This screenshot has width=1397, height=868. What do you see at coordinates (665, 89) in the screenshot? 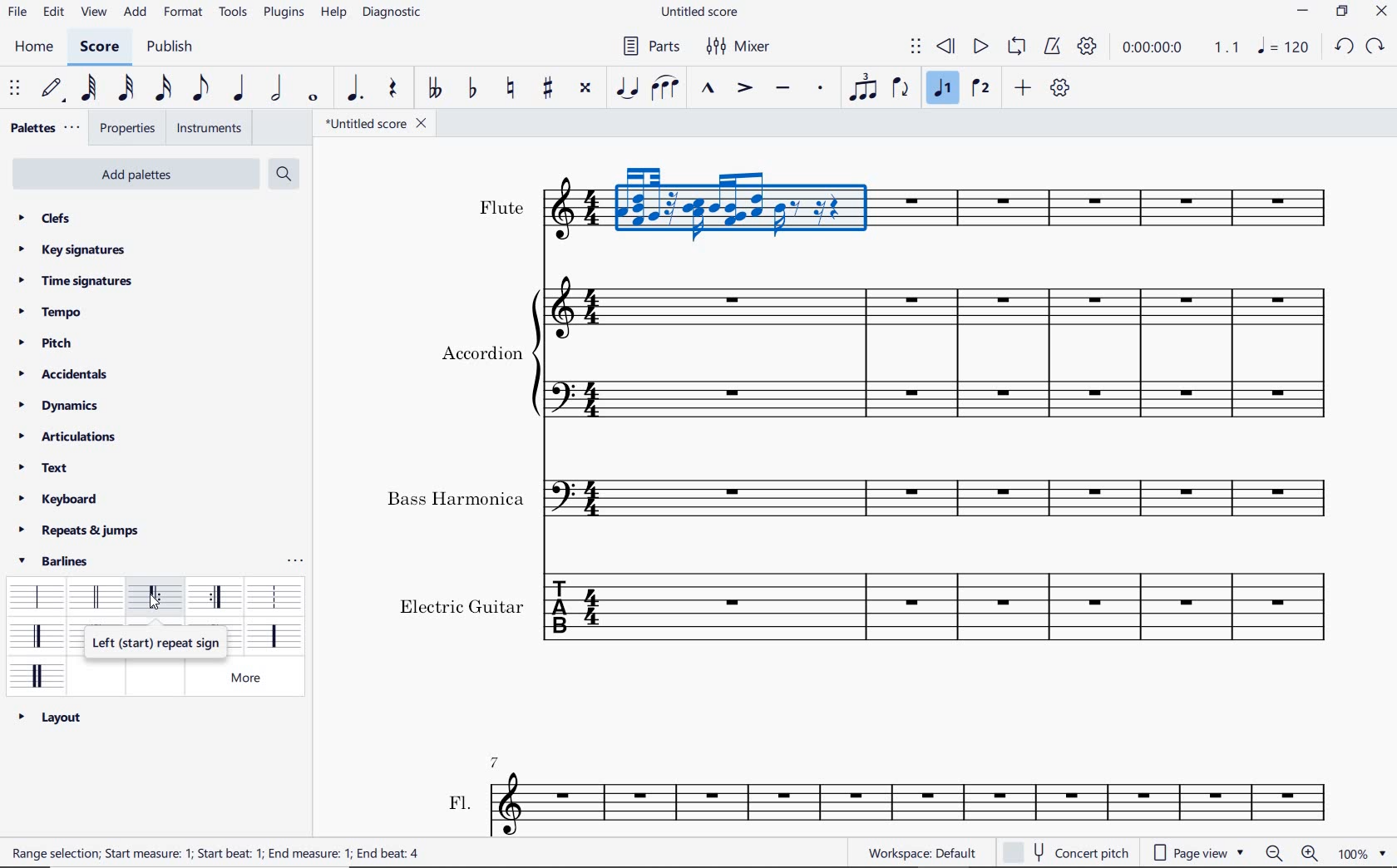
I see `slur` at bounding box center [665, 89].